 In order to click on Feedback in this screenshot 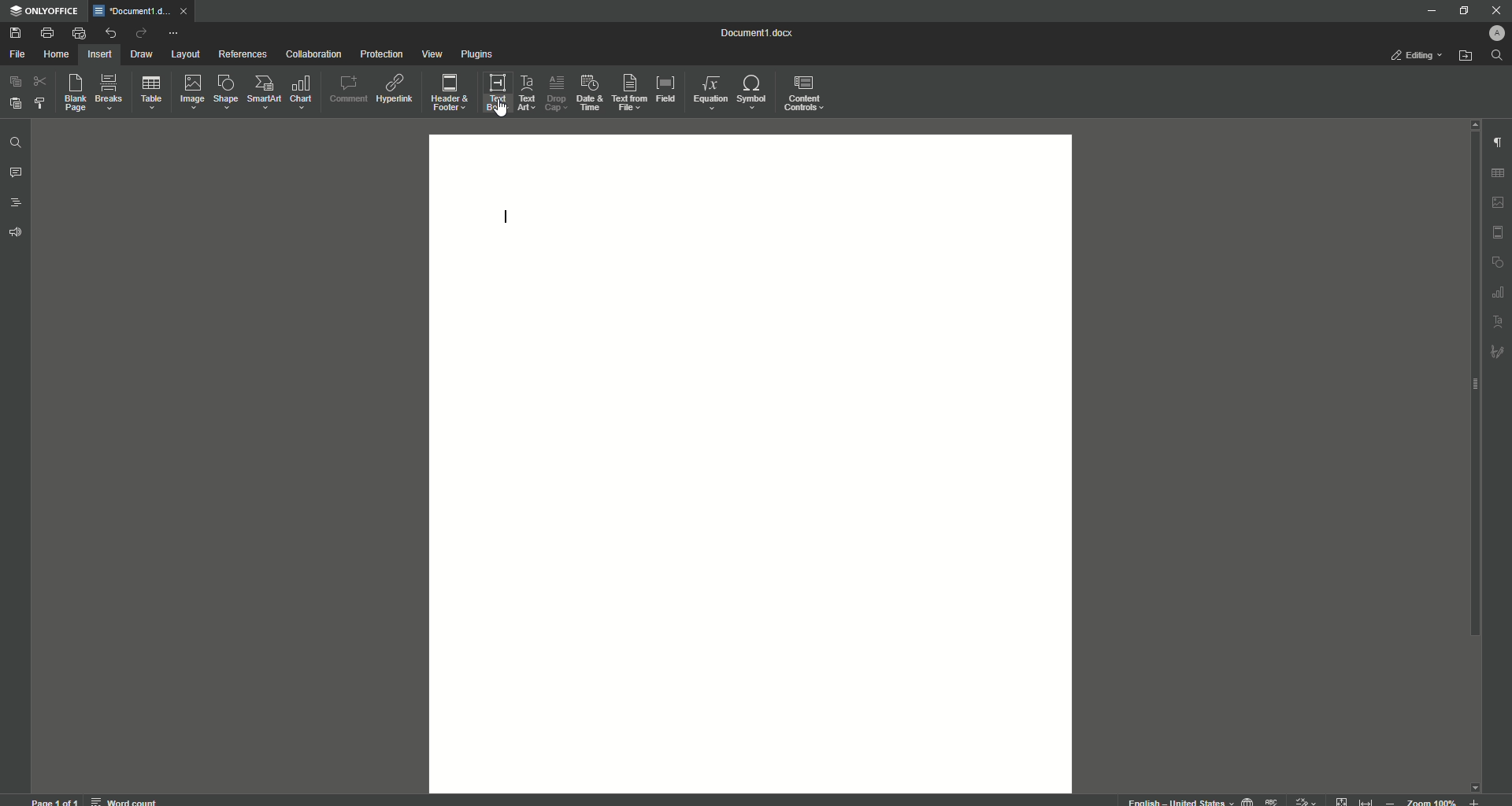, I will do `click(17, 233)`.